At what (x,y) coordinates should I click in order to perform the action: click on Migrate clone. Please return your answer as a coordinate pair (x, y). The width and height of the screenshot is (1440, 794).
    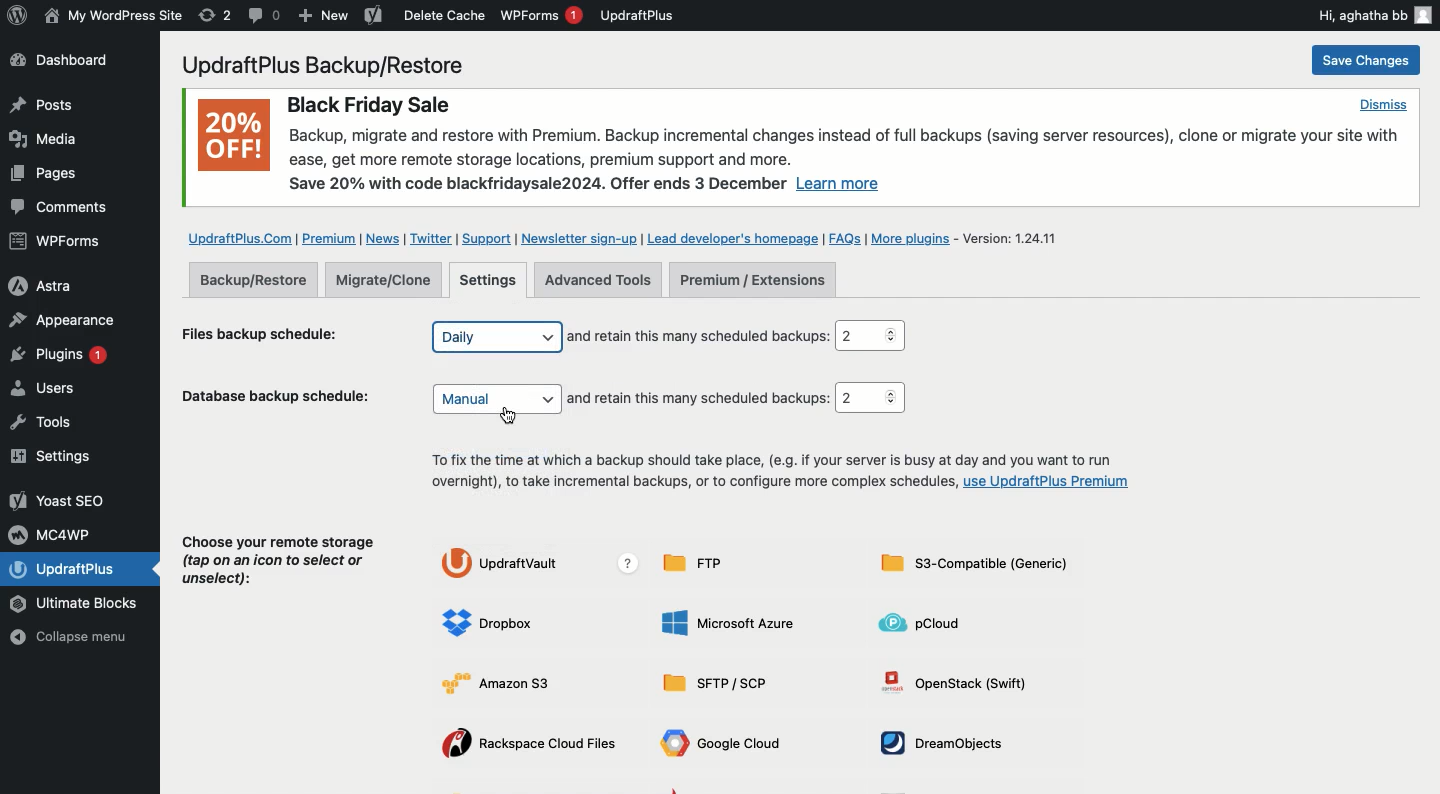
    Looking at the image, I should click on (389, 281).